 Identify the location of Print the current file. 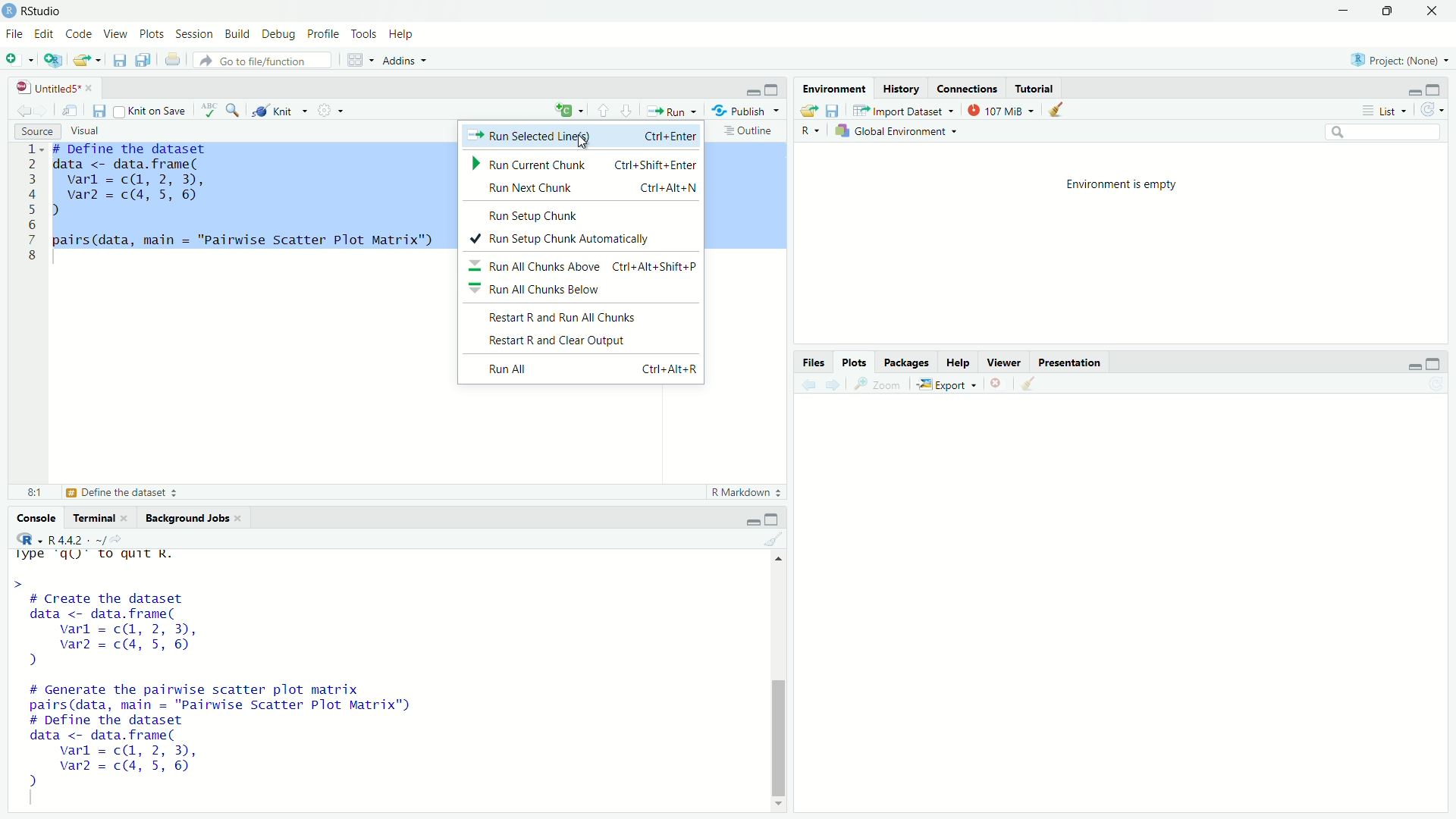
(172, 58).